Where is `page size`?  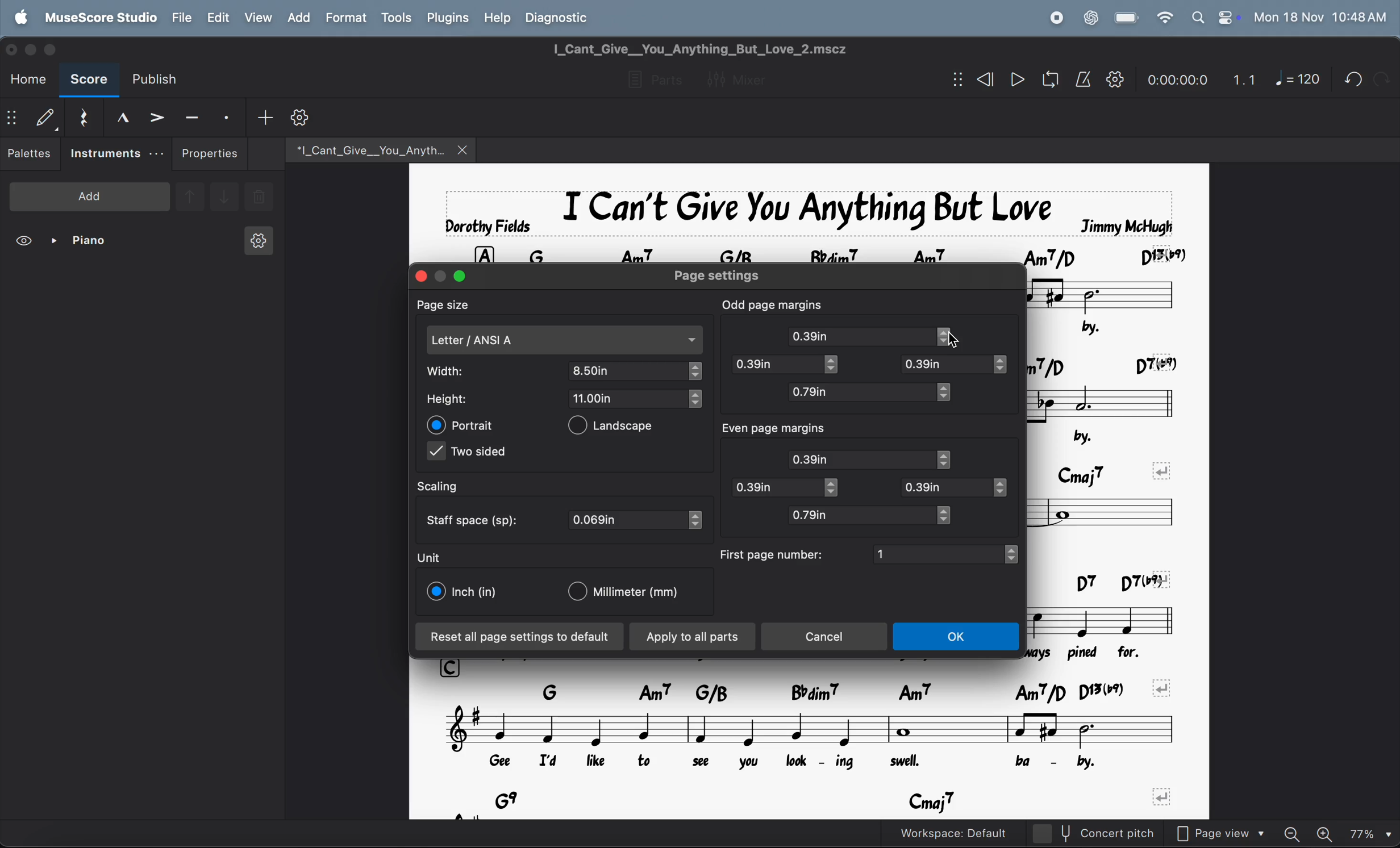
page size is located at coordinates (453, 304).